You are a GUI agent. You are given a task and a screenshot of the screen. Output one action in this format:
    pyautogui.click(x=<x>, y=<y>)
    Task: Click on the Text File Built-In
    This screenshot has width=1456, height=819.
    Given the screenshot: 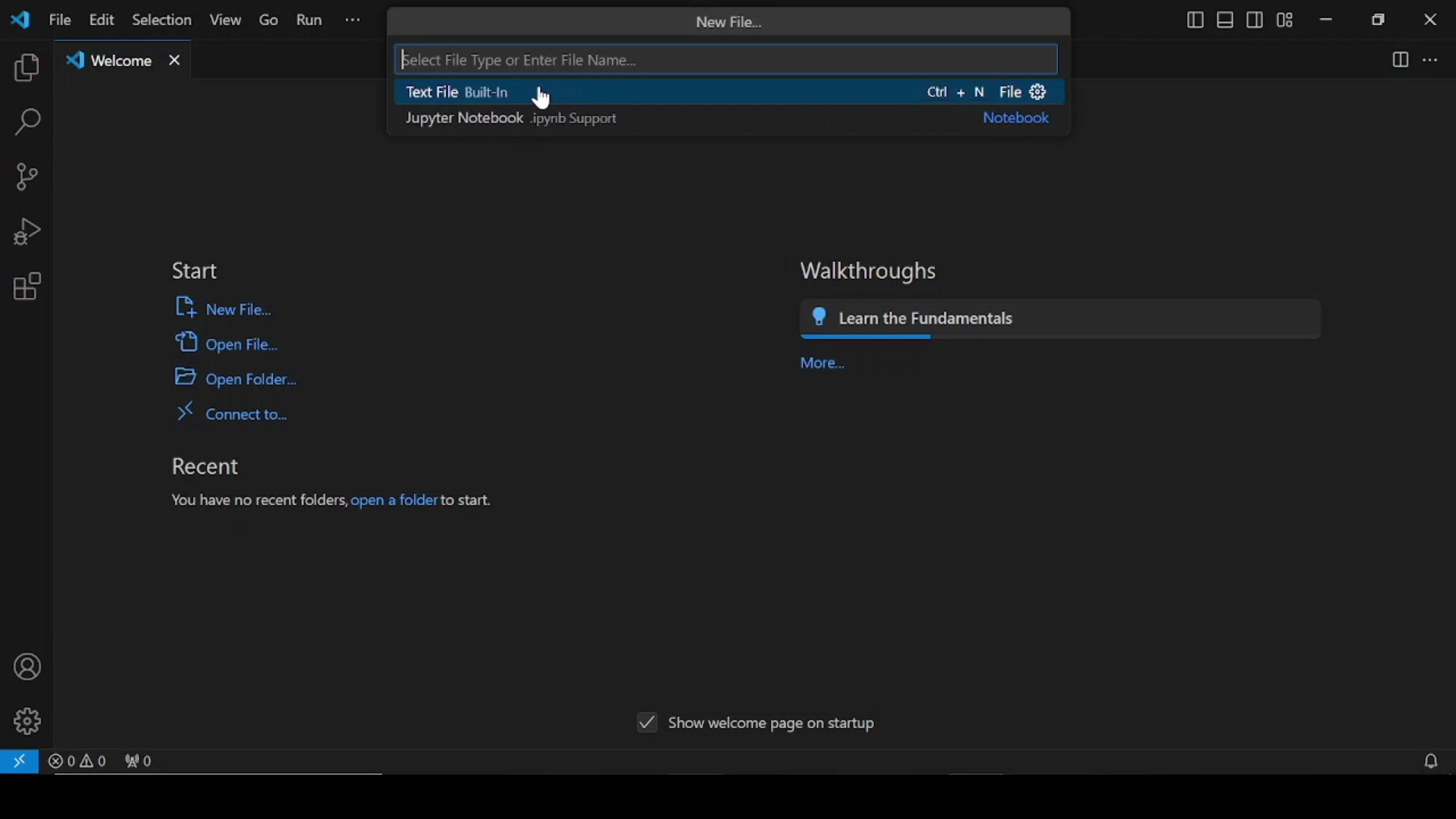 What is the action you would take?
    pyautogui.click(x=457, y=89)
    